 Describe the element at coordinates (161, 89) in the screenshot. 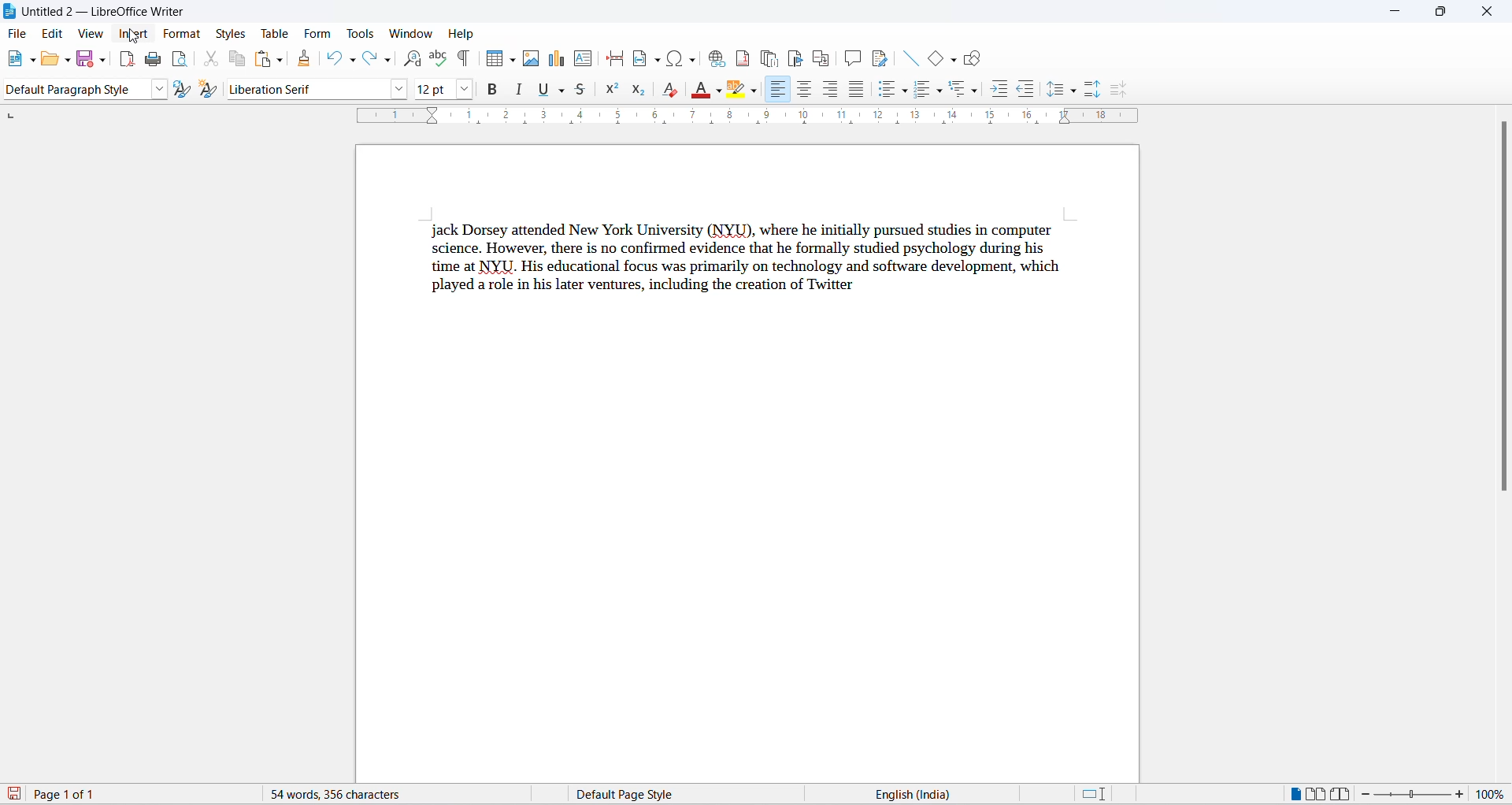

I see `paragraph style options` at that location.